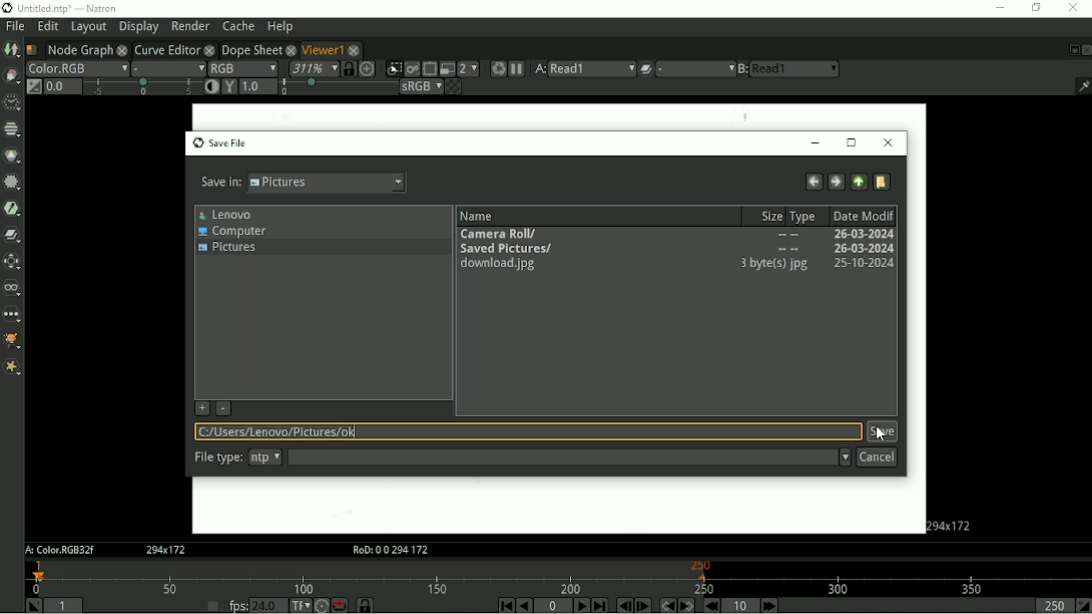  I want to click on Display, so click(139, 27).